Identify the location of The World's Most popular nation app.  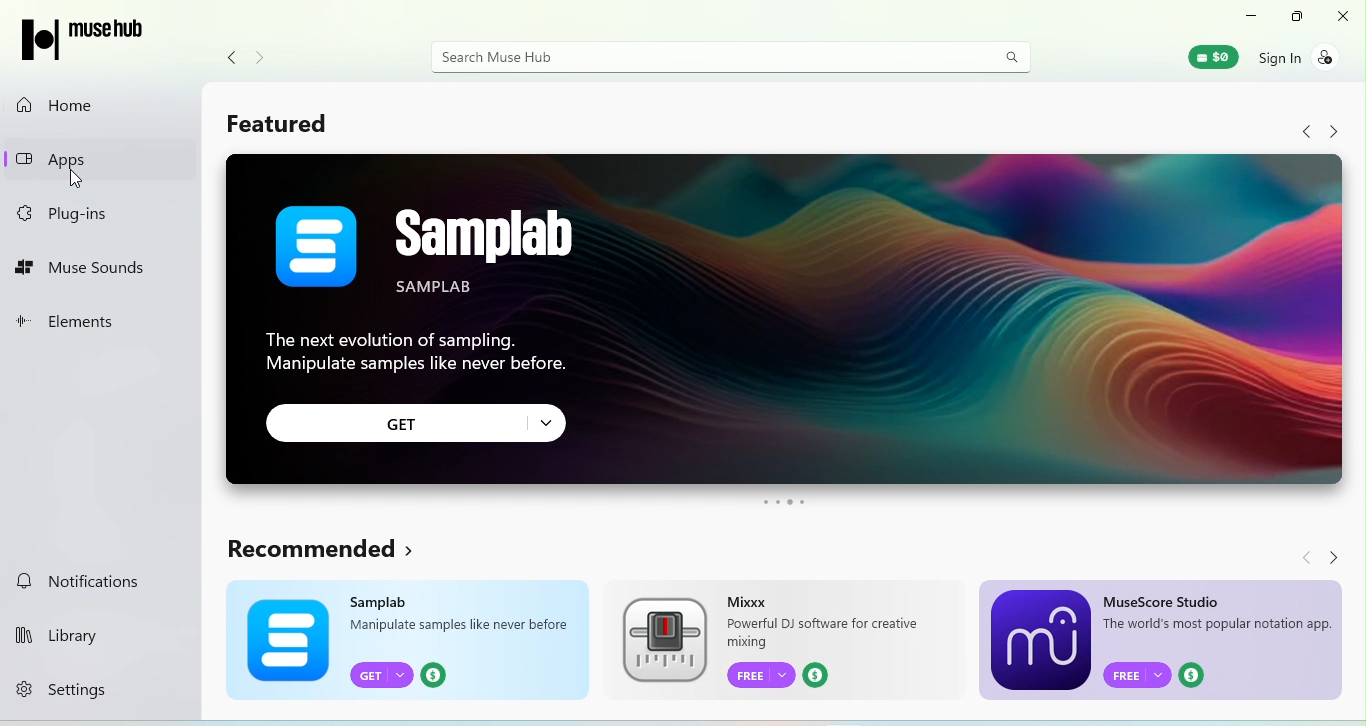
(1219, 626).